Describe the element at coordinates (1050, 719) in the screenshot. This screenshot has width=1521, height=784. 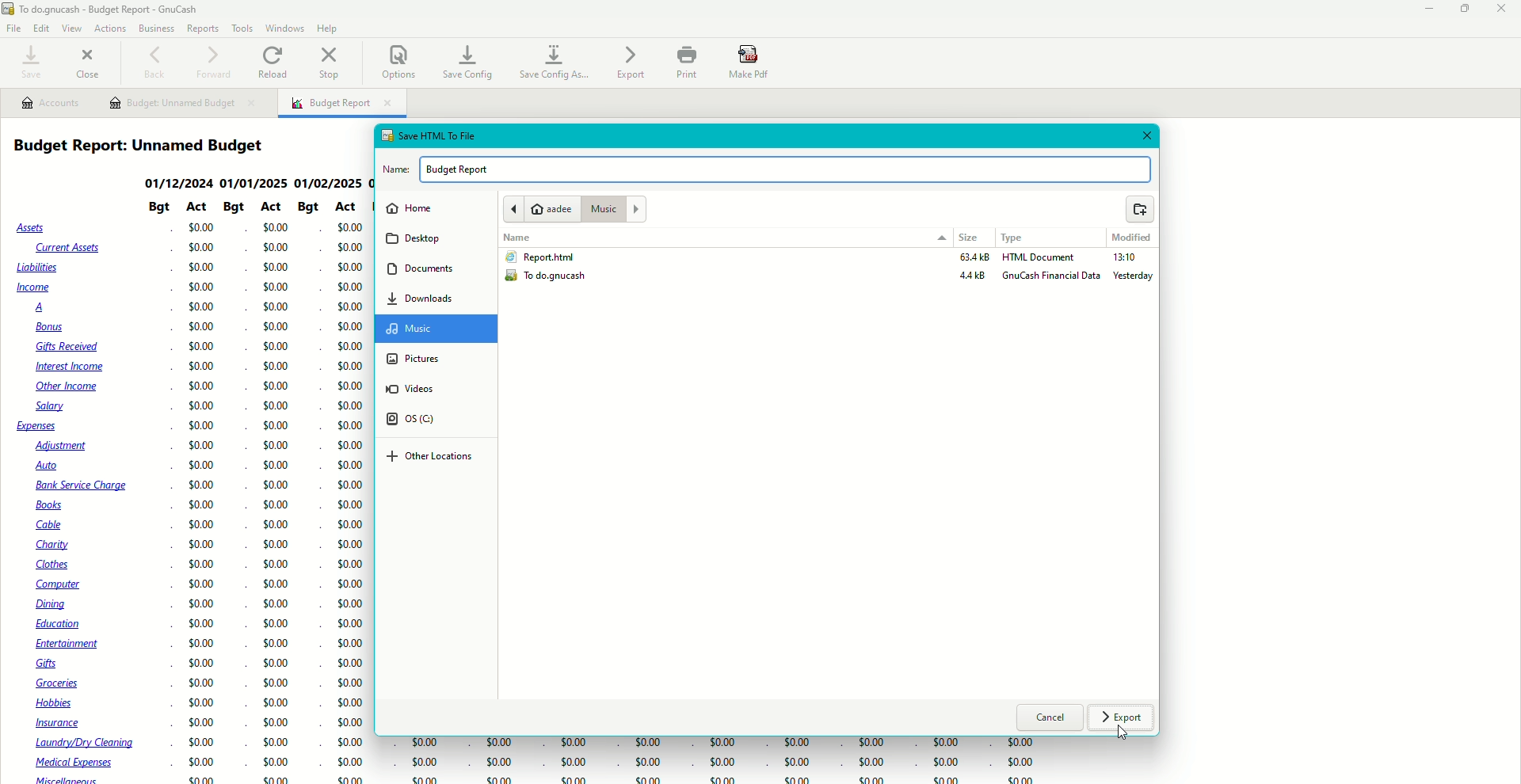
I see `Cancel` at that location.